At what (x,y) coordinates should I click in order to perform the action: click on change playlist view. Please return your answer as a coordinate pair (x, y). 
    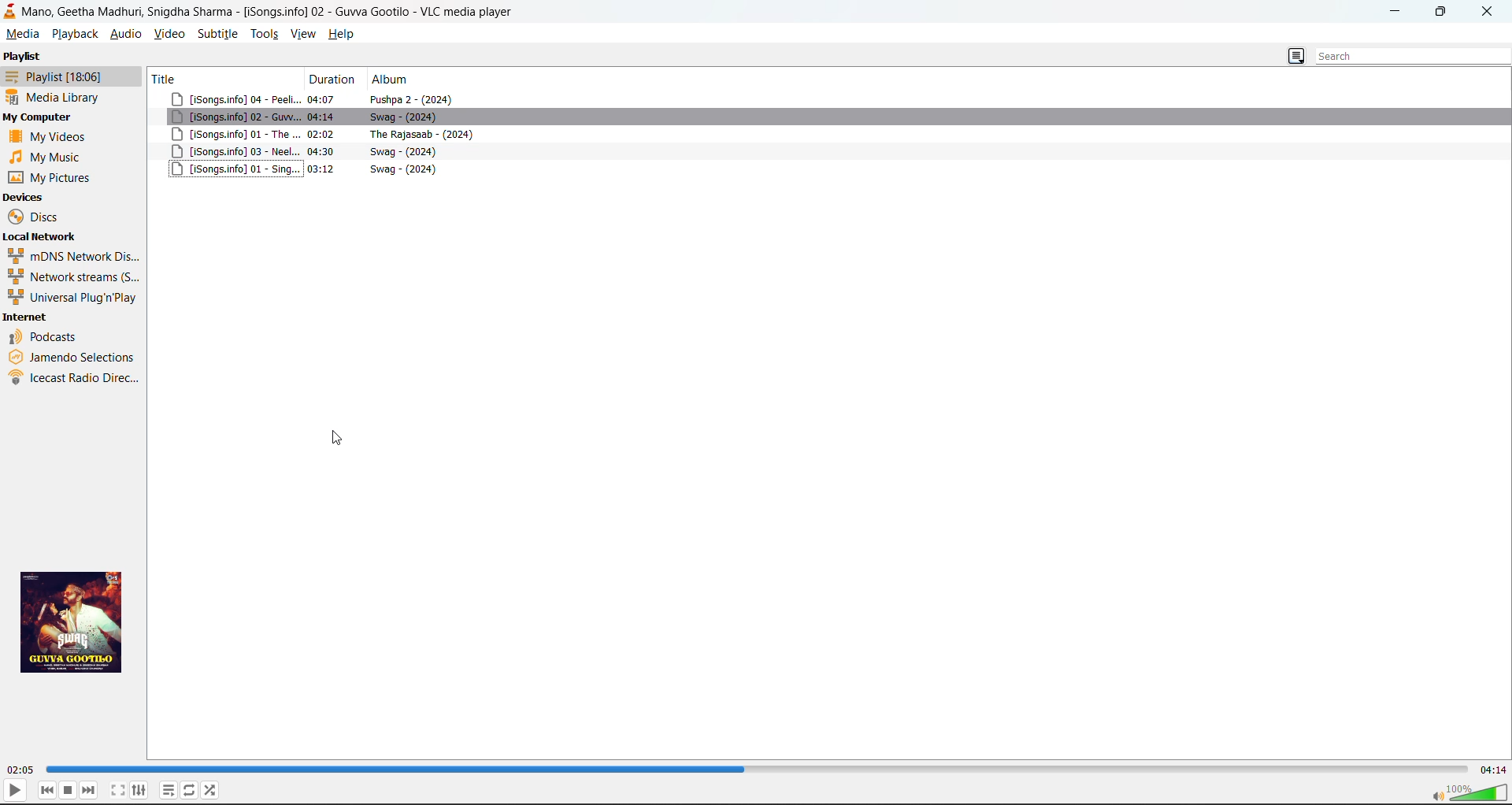
    Looking at the image, I should click on (1295, 57).